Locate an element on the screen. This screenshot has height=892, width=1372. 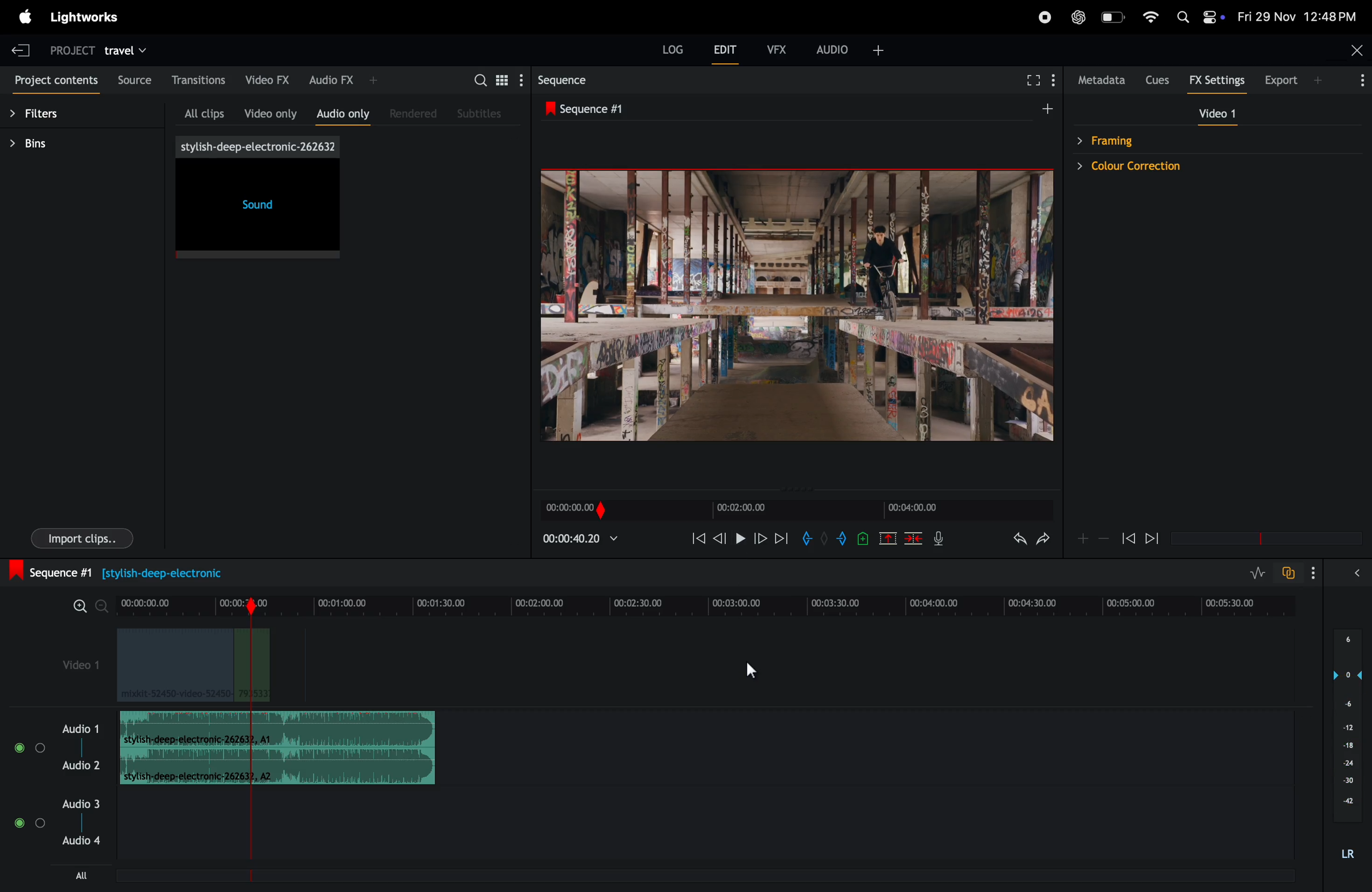
filters is located at coordinates (54, 115).